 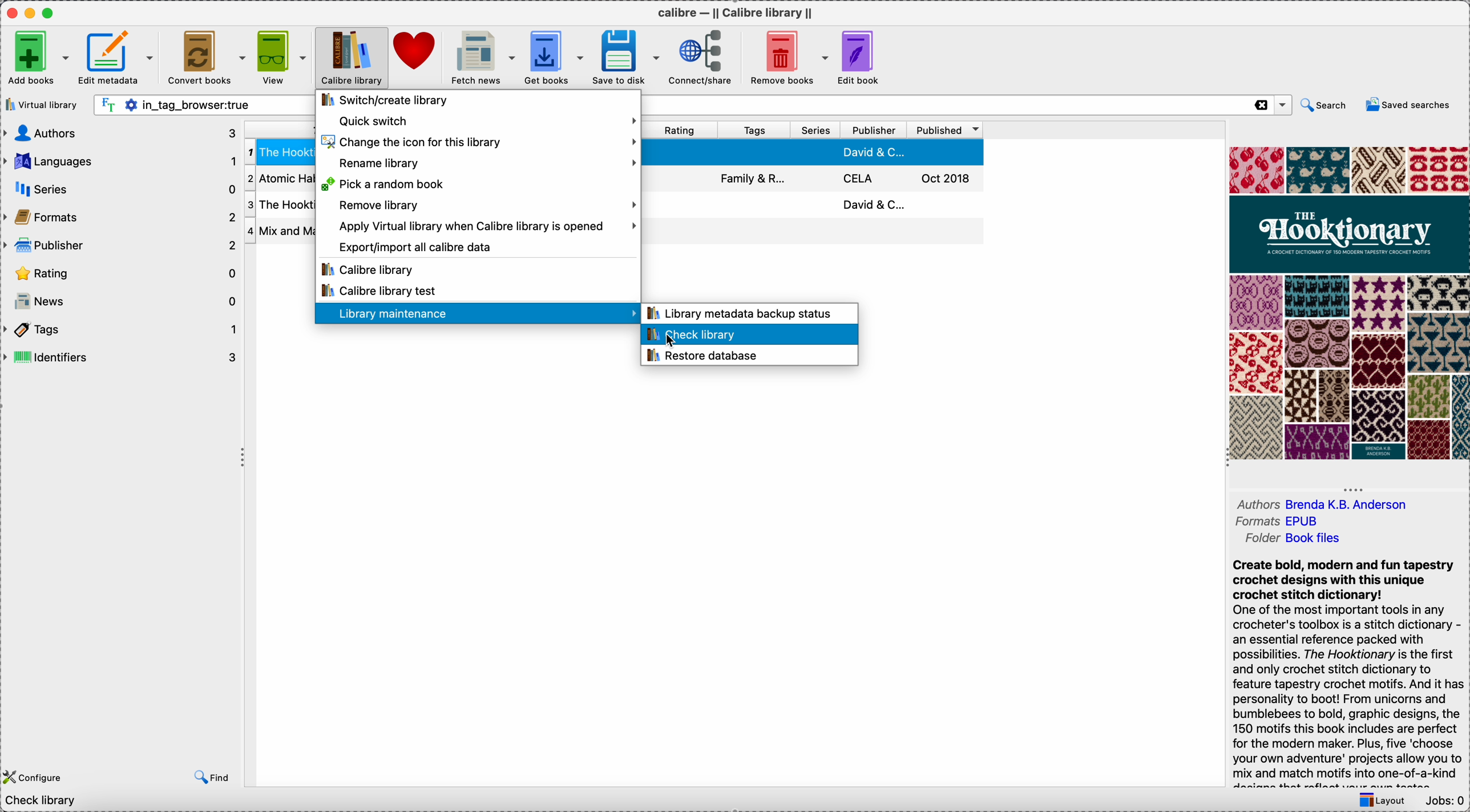 What do you see at coordinates (389, 184) in the screenshot?
I see `pick a random book` at bounding box center [389, 184].